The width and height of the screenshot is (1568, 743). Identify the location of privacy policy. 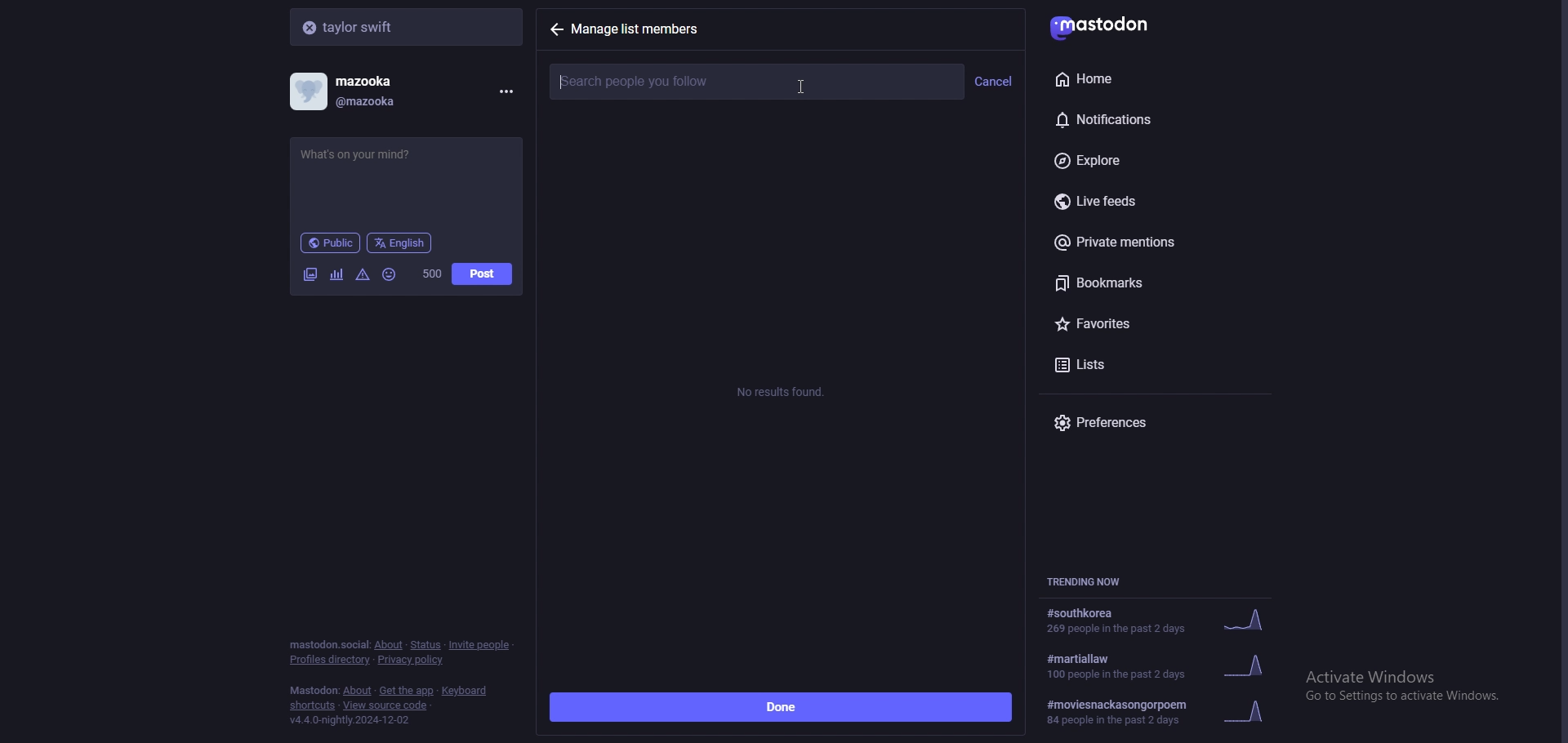
(412, 661).